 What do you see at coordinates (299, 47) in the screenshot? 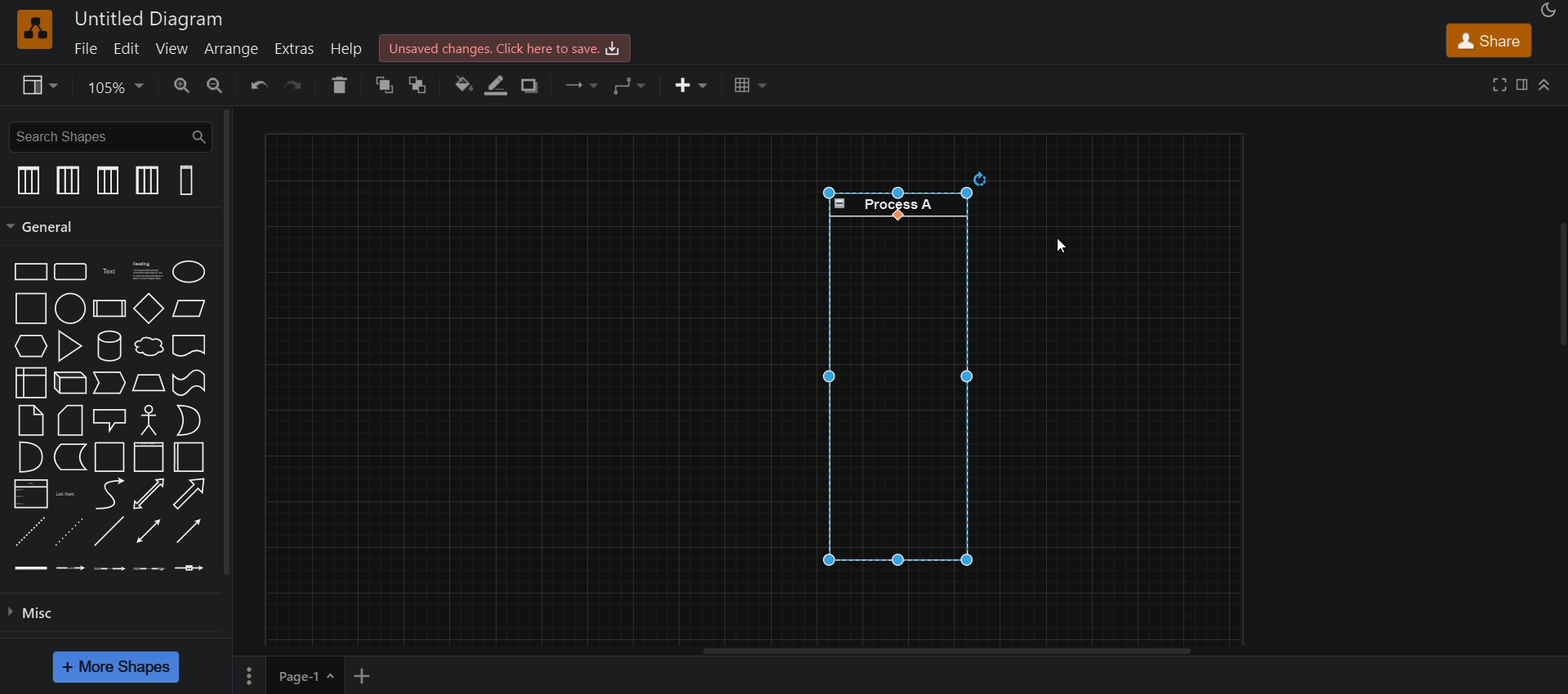
I see `extras` at bounding box center [299, 47].